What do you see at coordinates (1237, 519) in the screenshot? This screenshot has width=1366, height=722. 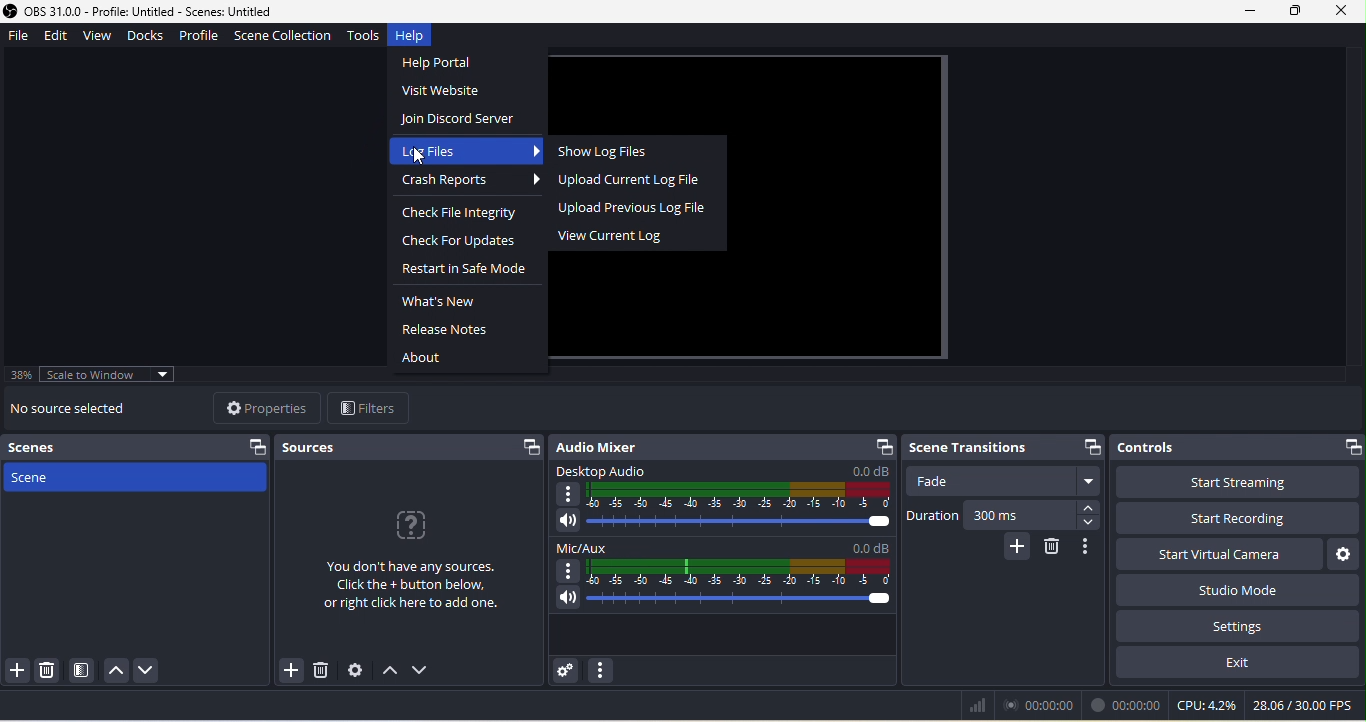 I see `start recording` at bounding box center [1237, 519].